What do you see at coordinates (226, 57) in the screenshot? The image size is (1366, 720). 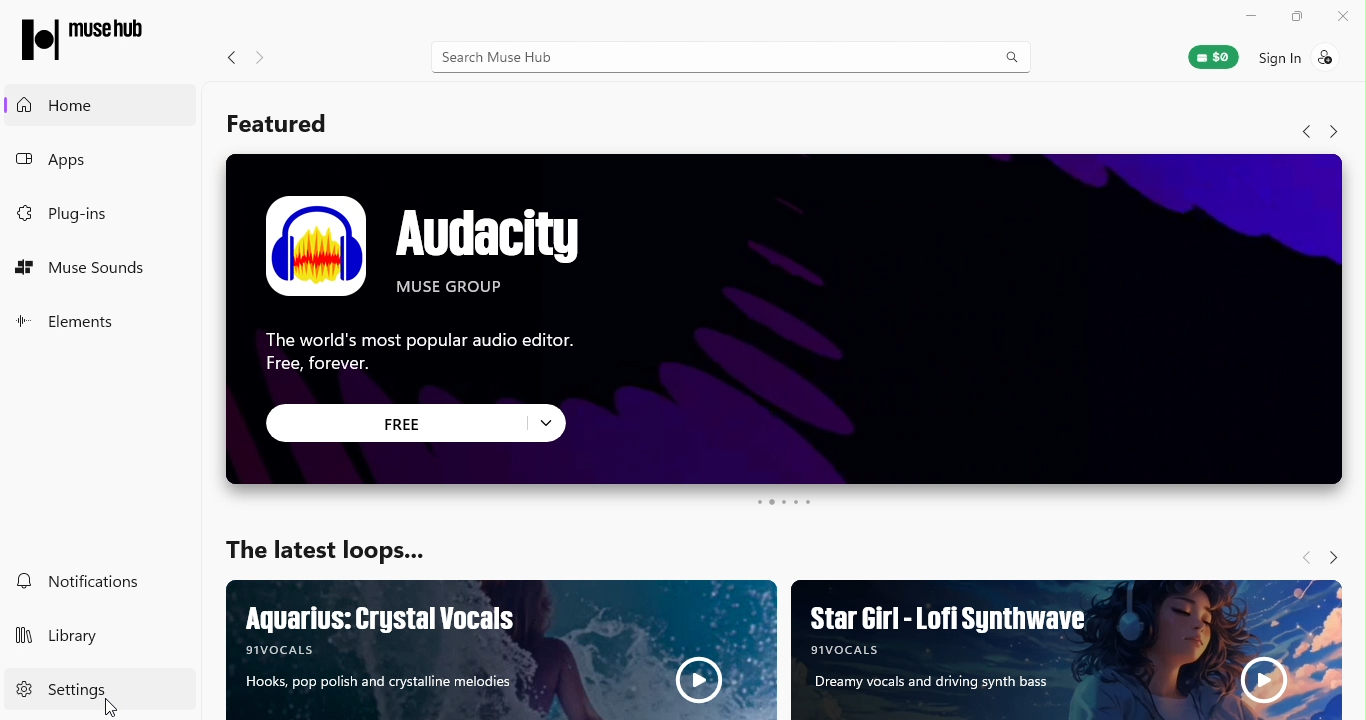 I see `Navigate back` at bounding box center [226, 57].